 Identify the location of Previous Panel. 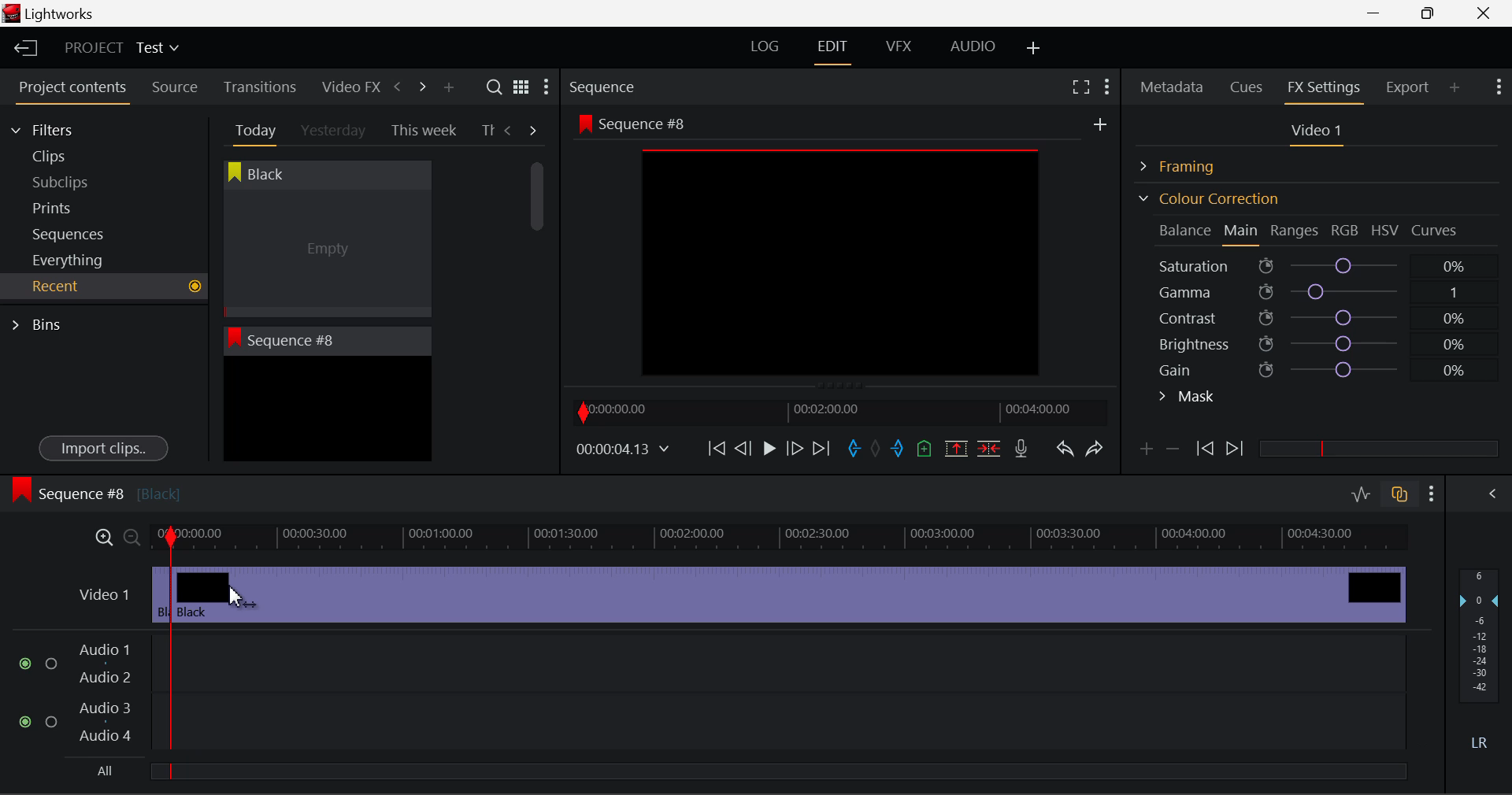
(397, 87).